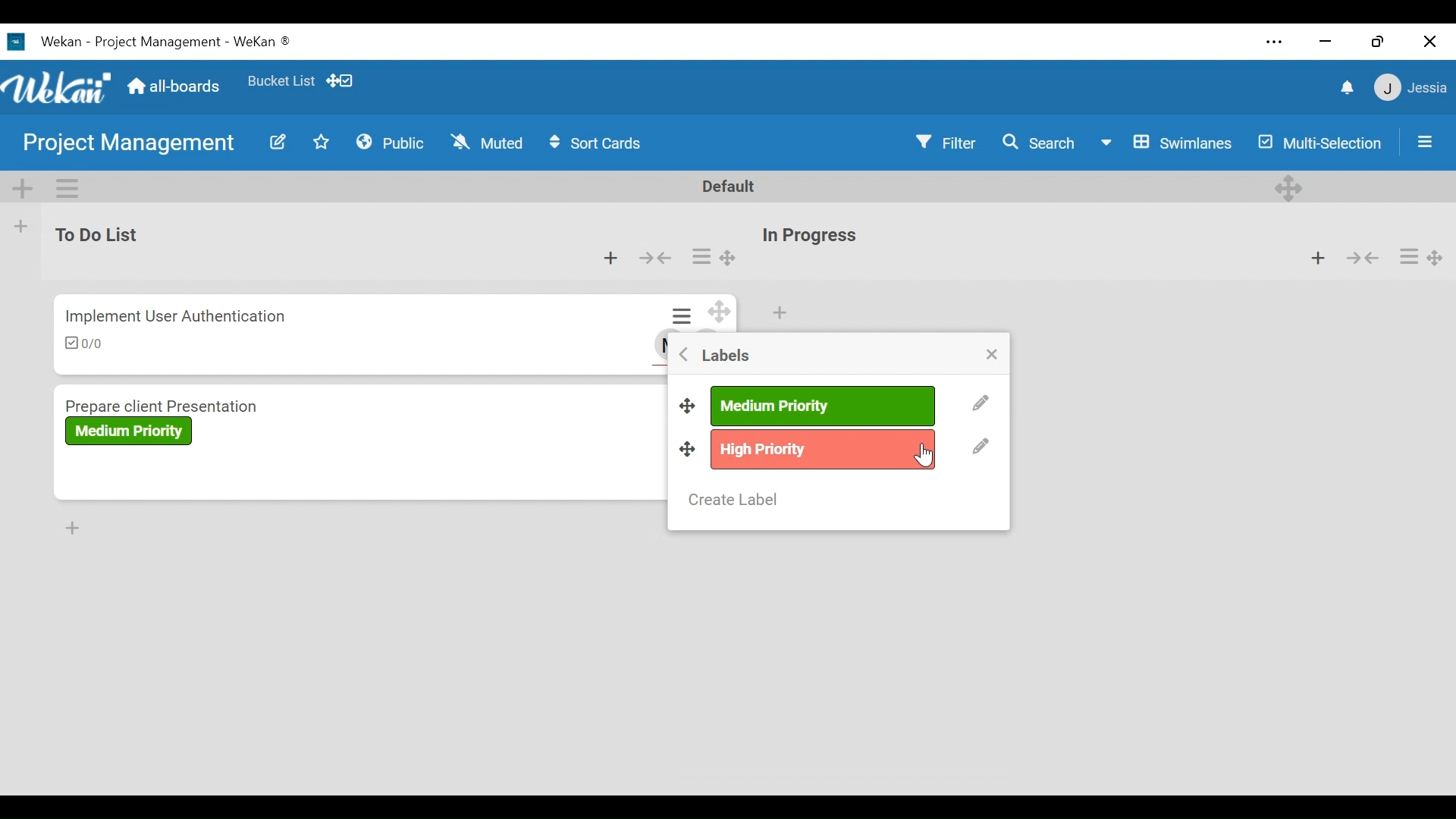 The width and height of the screenshot is (1456, 819). Describe the element at coordinates (729, 259) in the screenshot. I see `Desktop drag handle` at that location.